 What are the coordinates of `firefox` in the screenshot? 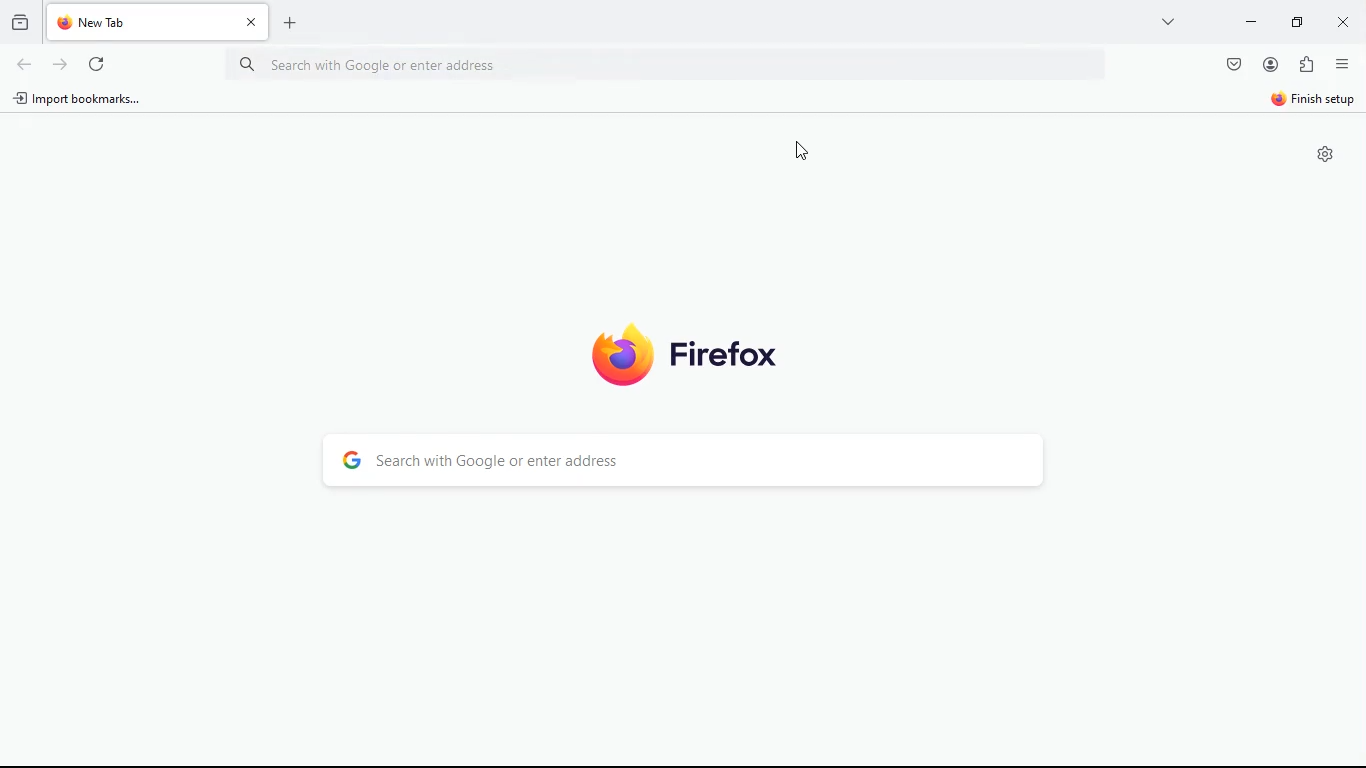 It's located at (680, 354).